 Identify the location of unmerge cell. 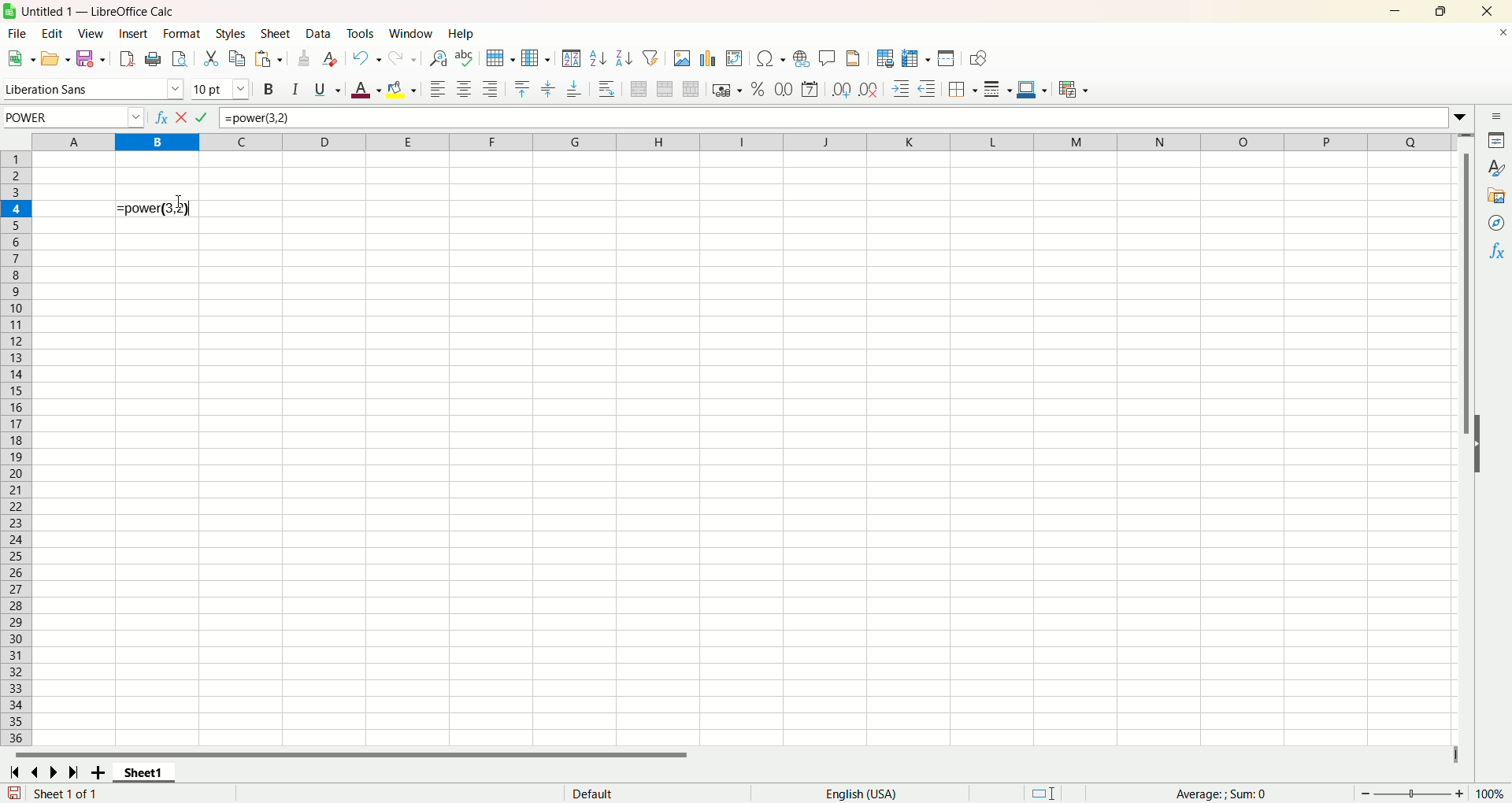
(691, 90).